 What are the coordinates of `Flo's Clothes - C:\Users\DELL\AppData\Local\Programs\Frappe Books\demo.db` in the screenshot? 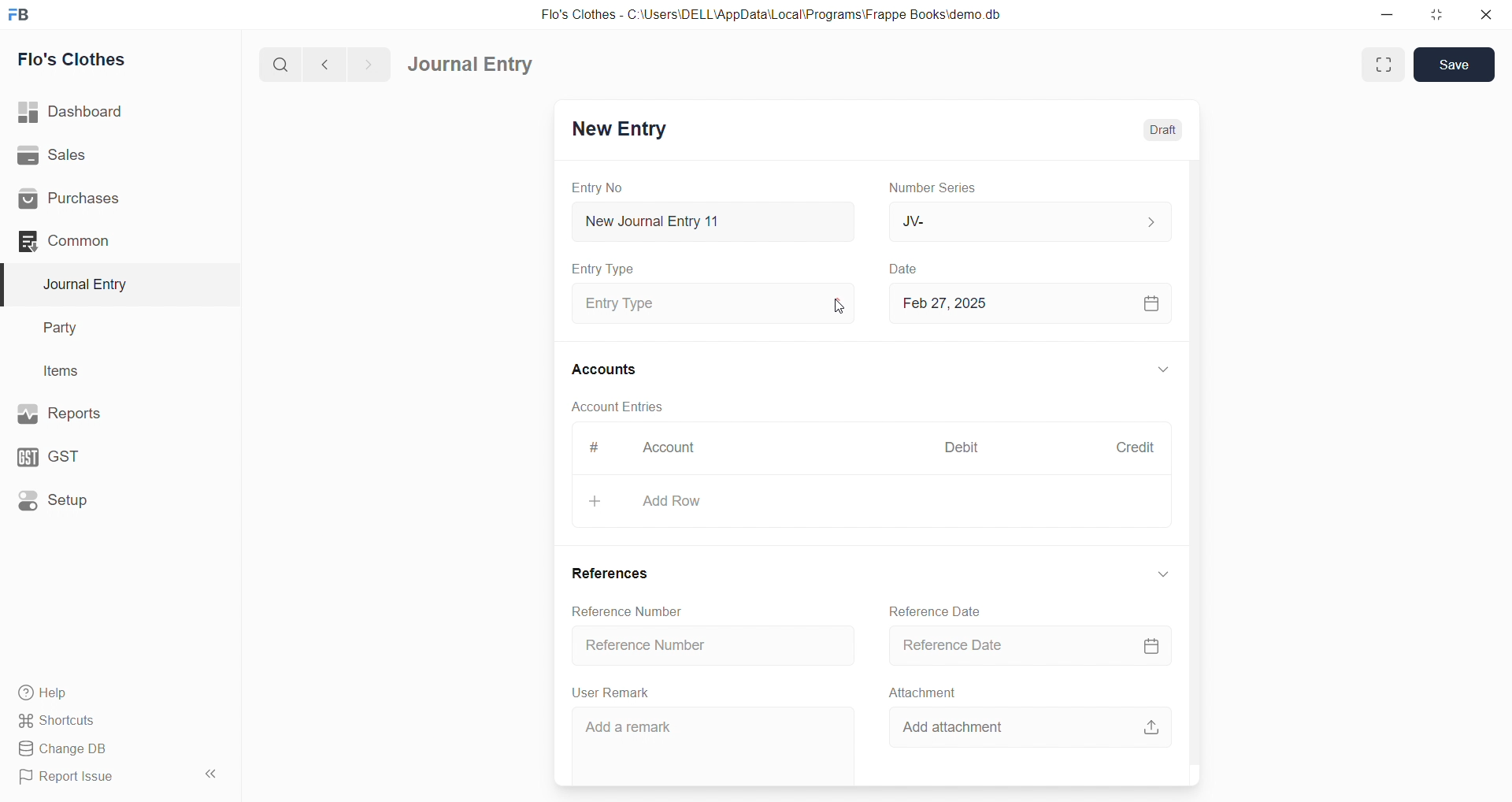 It's located at (771, 13).